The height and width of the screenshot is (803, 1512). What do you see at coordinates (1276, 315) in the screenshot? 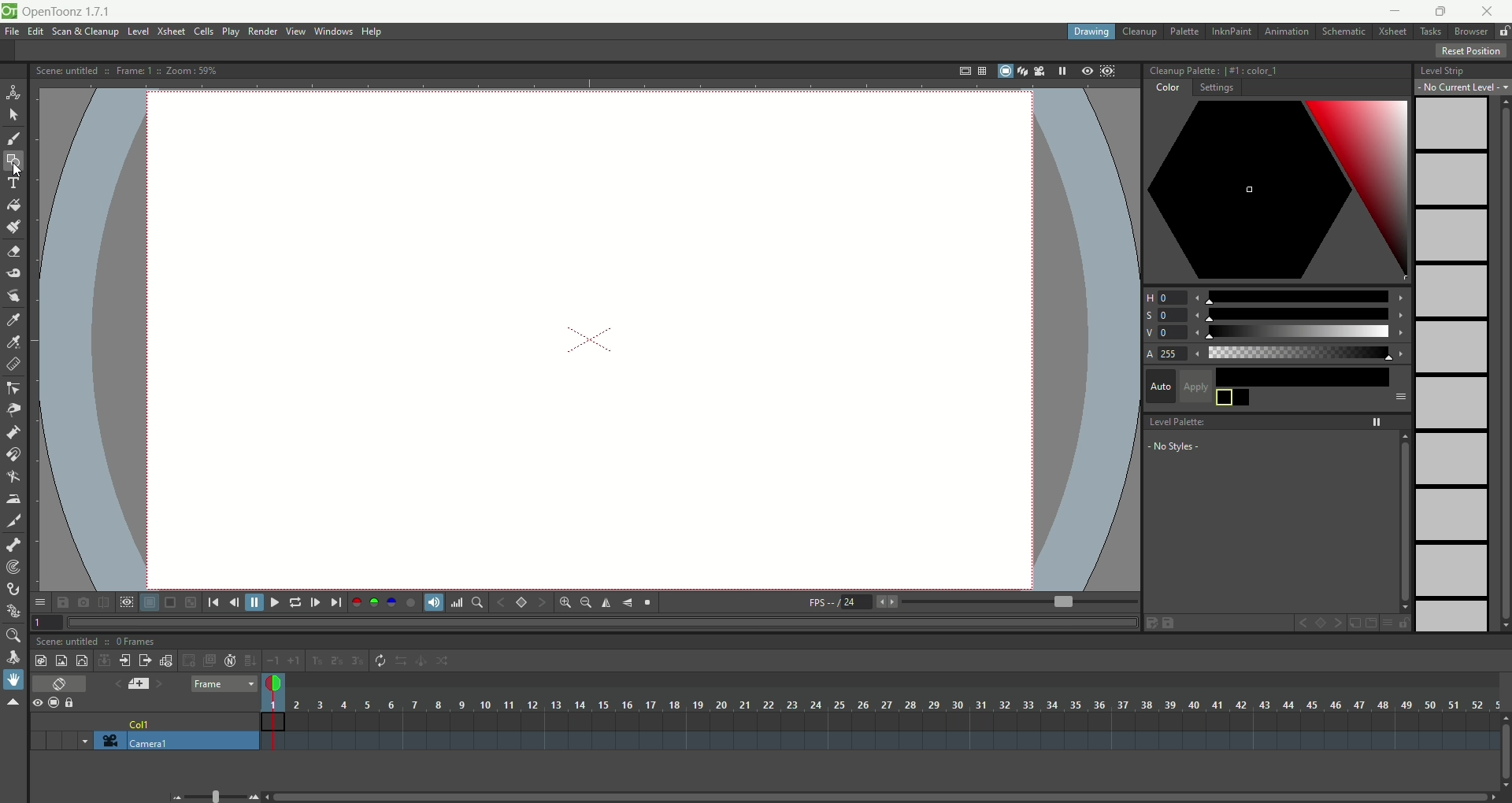
I see `saturation` at bounding box center [1276, 315].